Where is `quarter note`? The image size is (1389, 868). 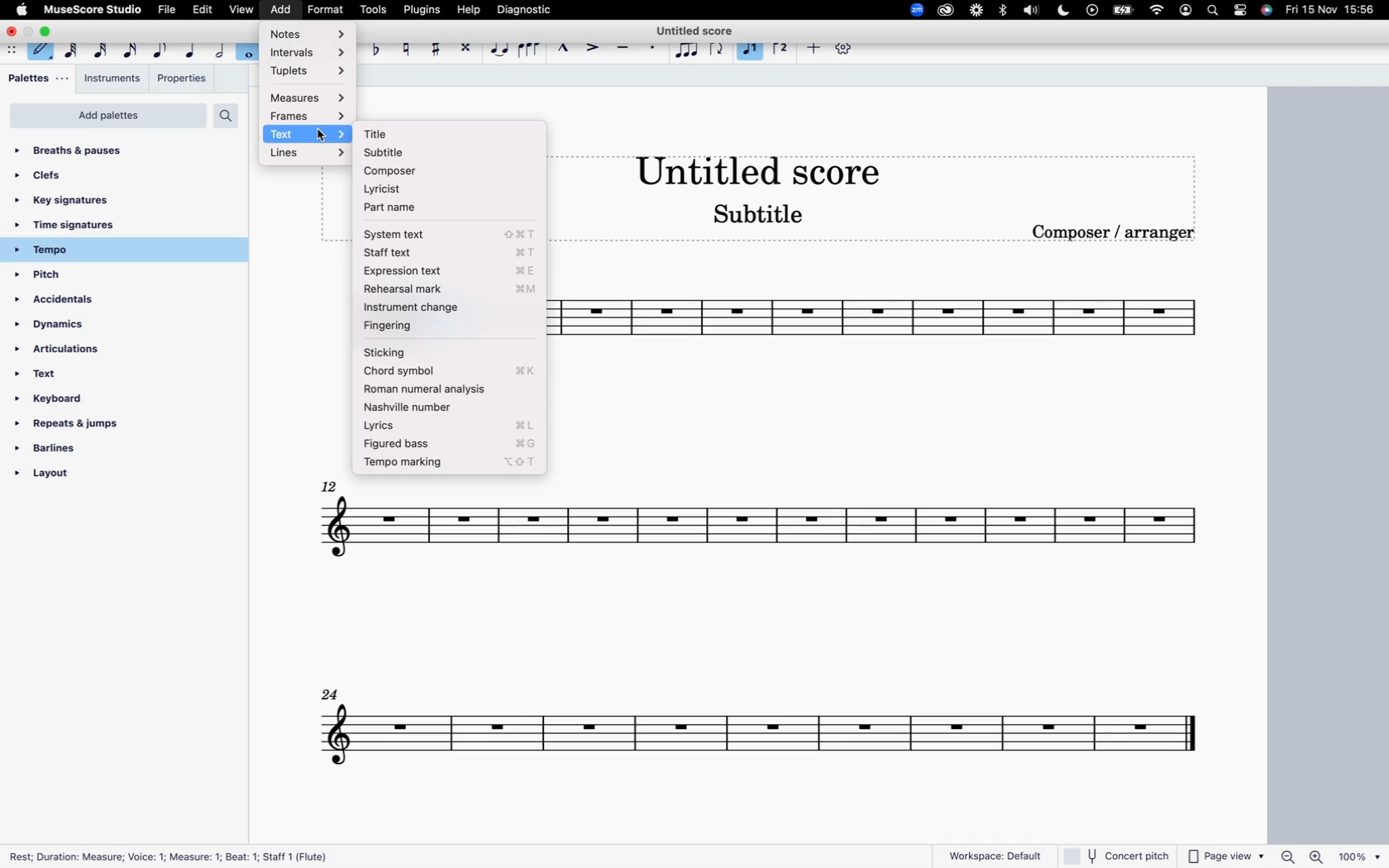
quarter note is located at coordinates (191, 48).